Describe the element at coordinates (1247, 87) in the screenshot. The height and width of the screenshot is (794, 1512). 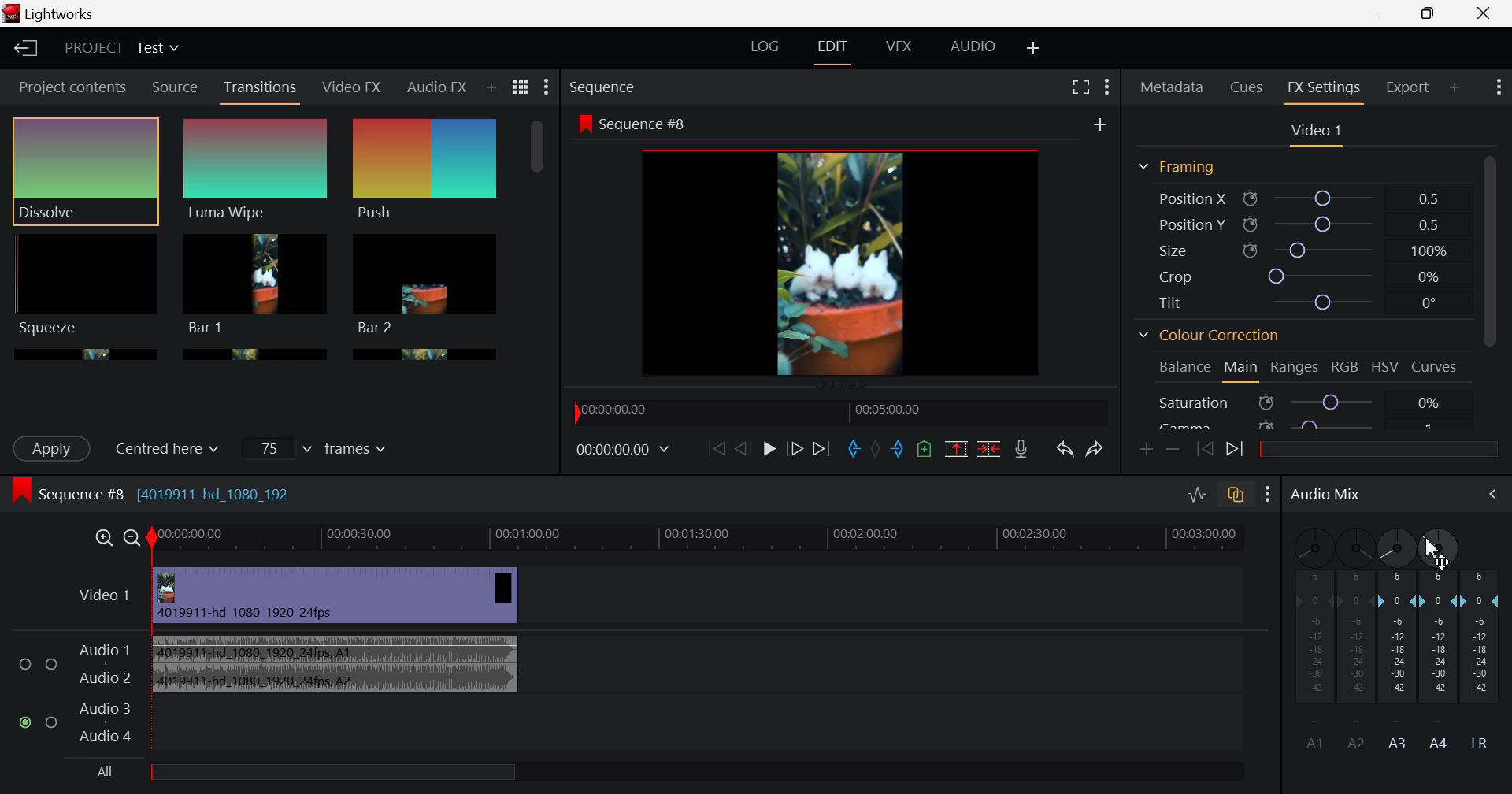
I see `Cues` at that location.